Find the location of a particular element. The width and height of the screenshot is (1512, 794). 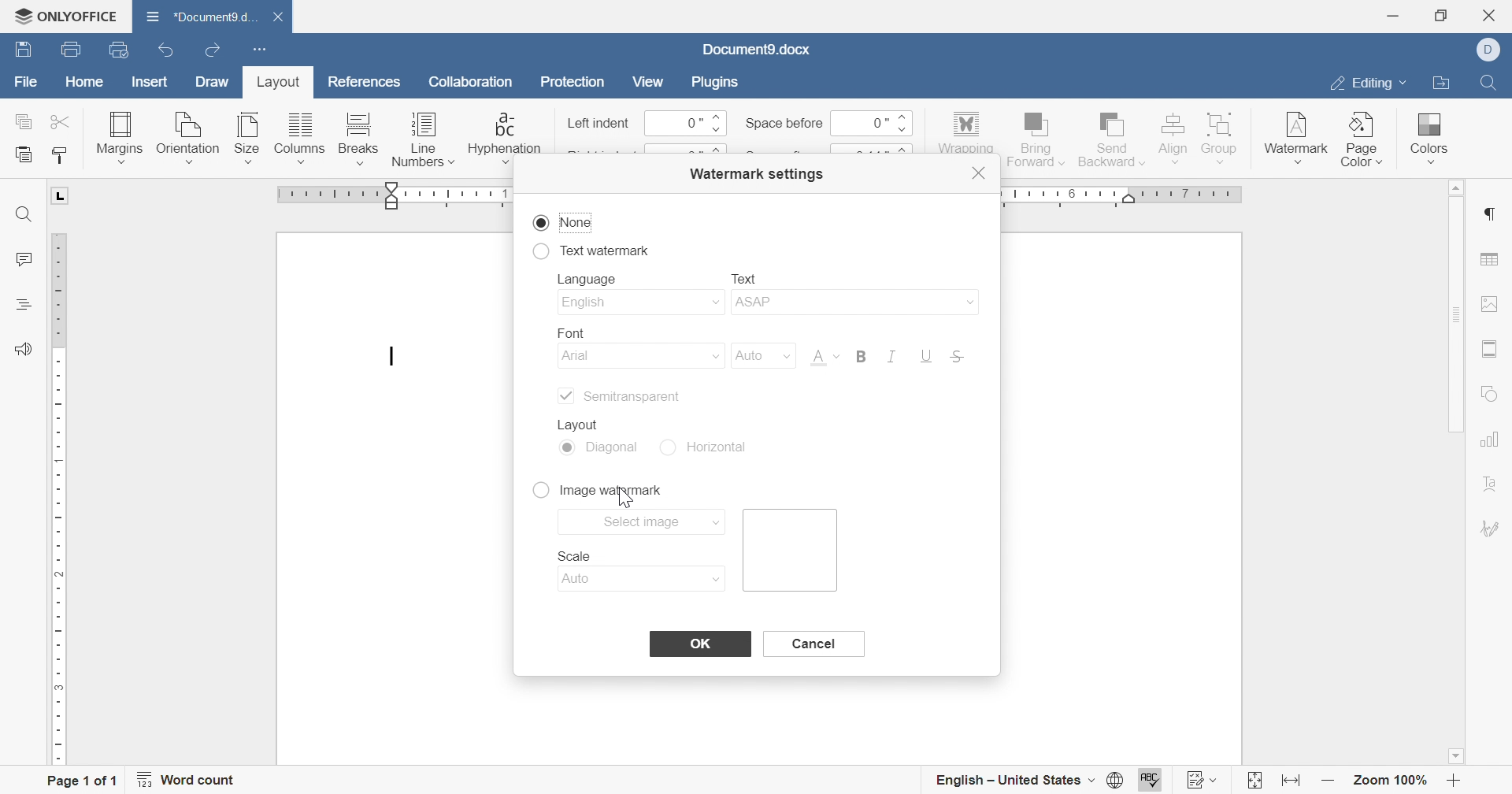

scroll up is located at coordinates (1451, 187).